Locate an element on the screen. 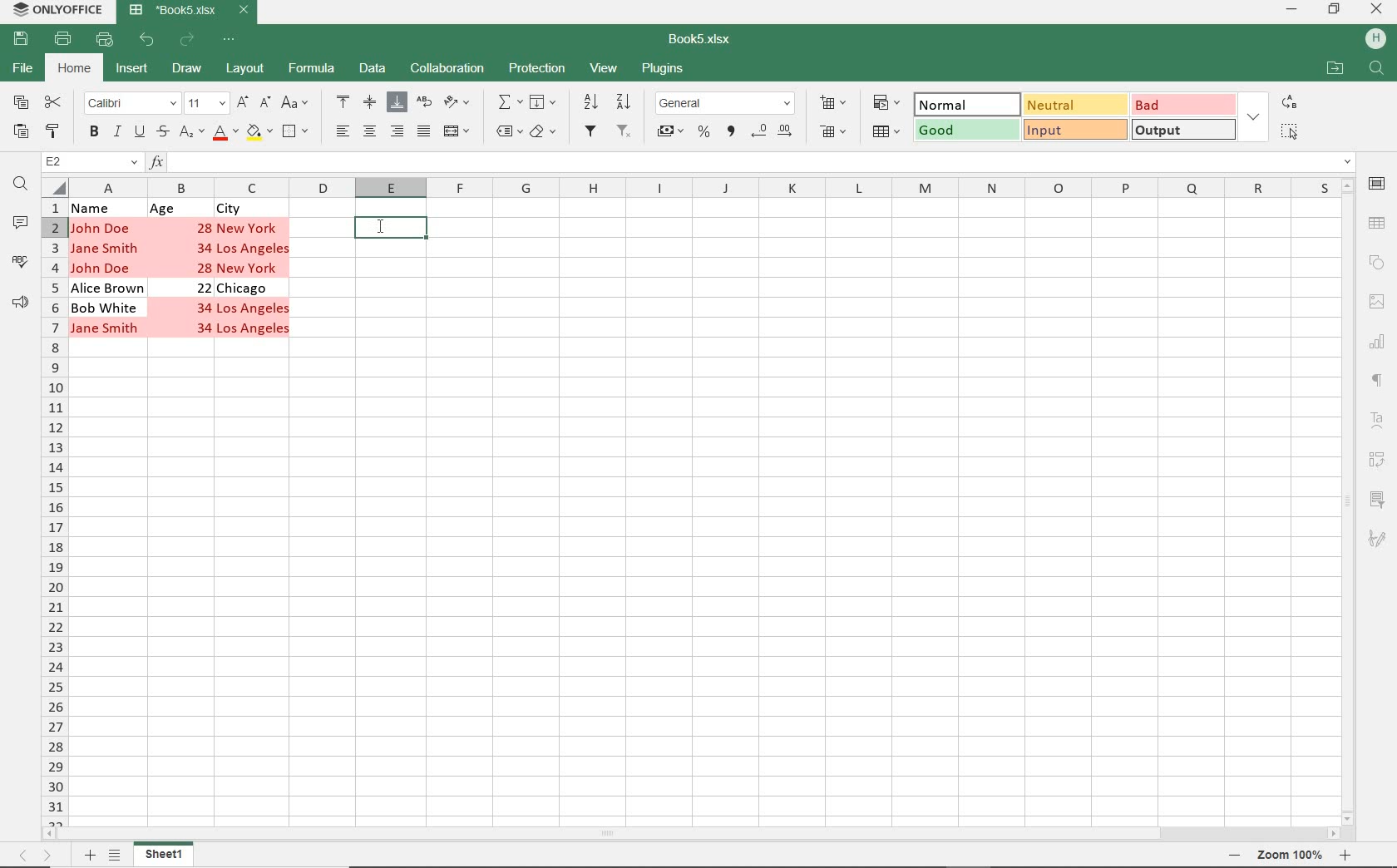 This screenshot has width=1397, height=868. SCROLLBAR is located at coordinates (689, 834).